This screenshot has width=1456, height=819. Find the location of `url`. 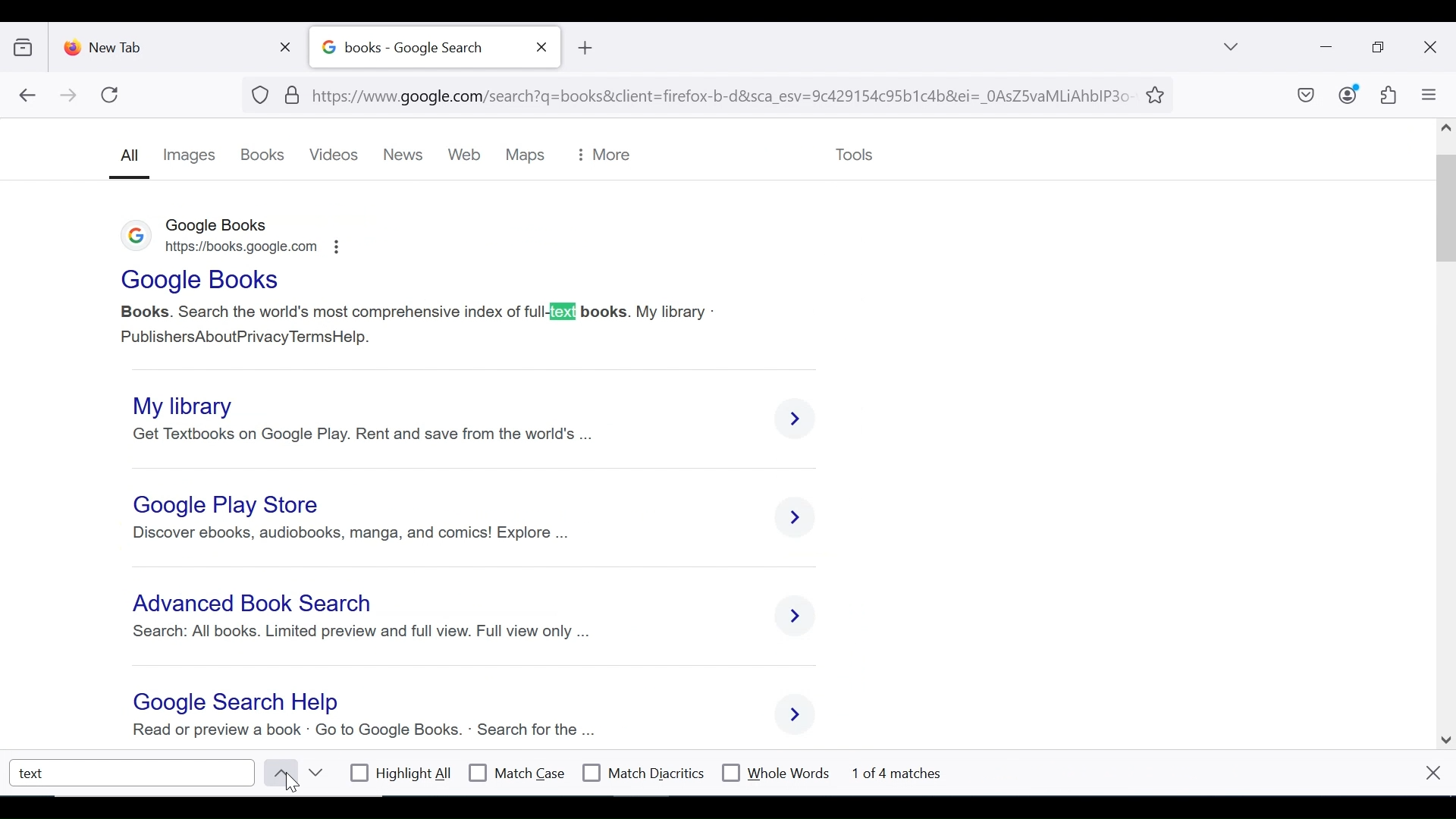

url is located at coordinates (693, 93).